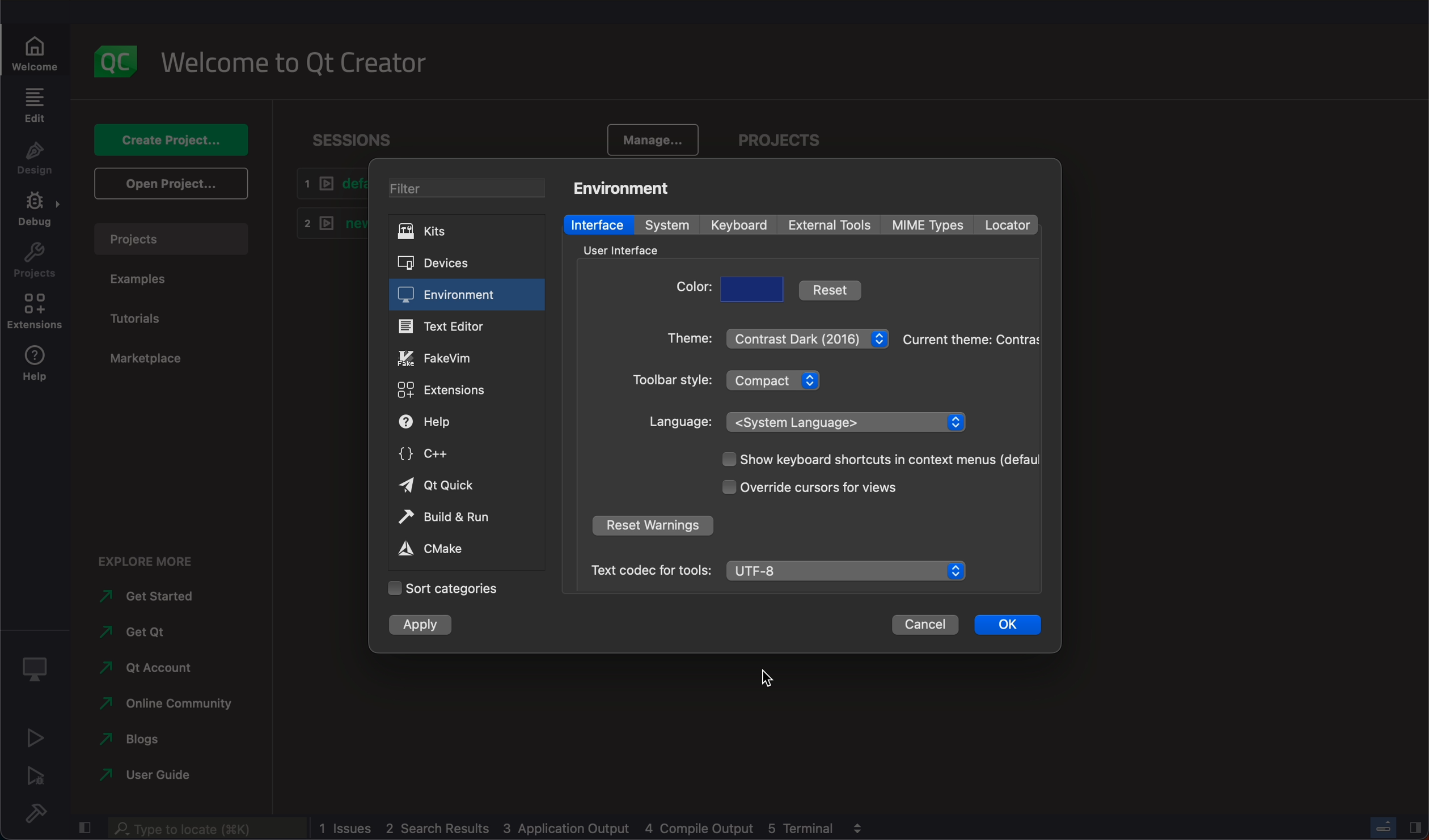 The width and height of the screenshot is (1429, 840). I want to click on environment, so click(466, 295).